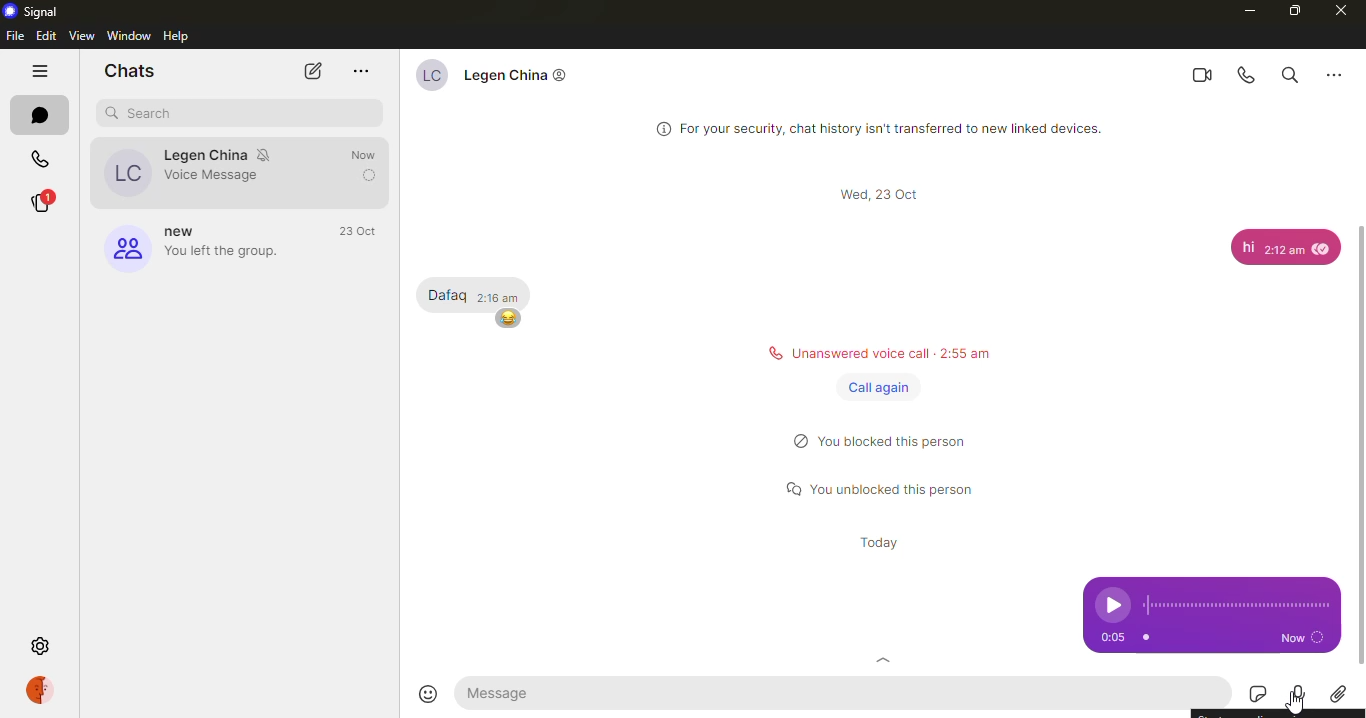 This screenshot has height=718, width=1366. I want to click on account, so click(39, 690).